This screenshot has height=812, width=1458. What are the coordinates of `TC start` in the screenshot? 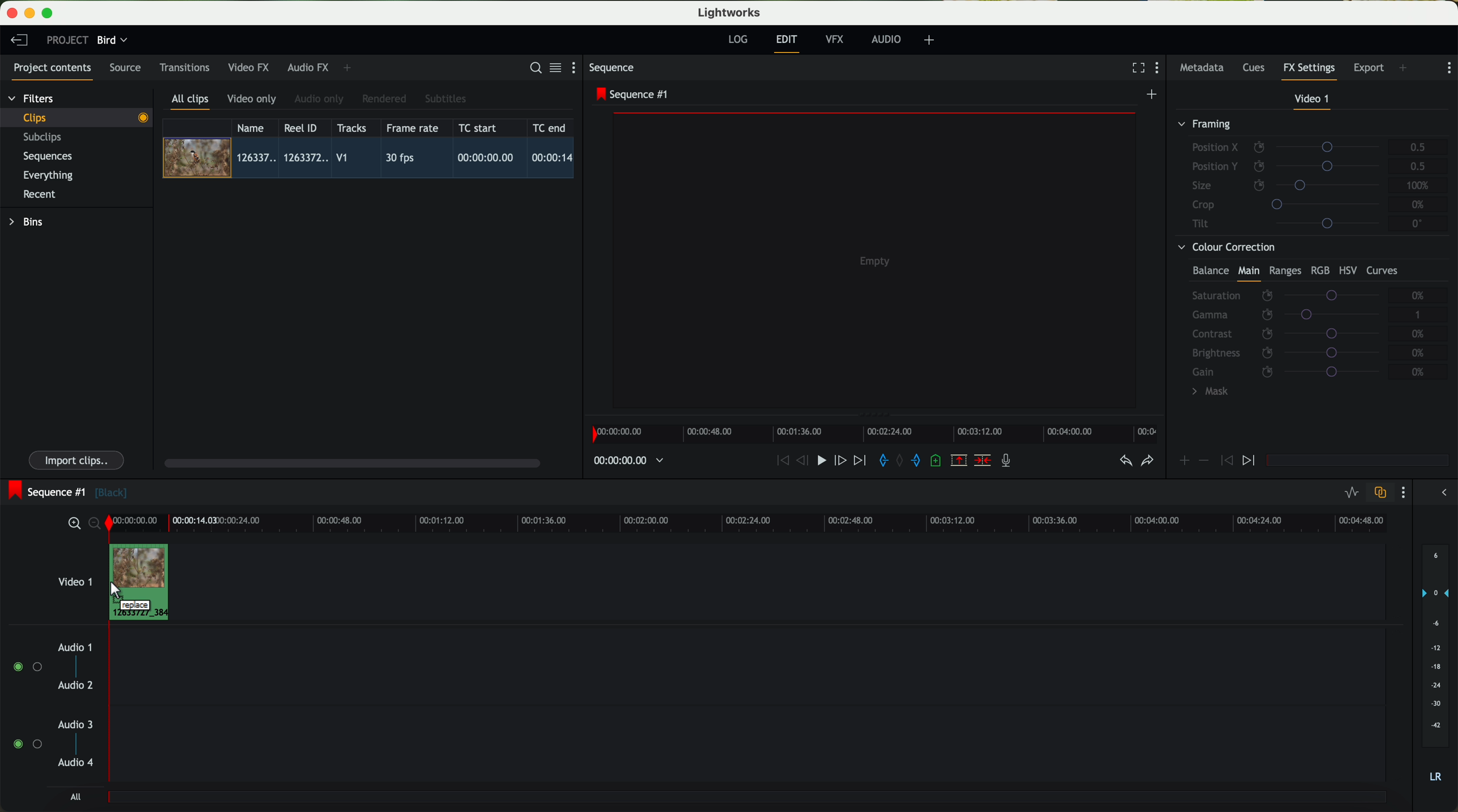 It's located at (479, 127).